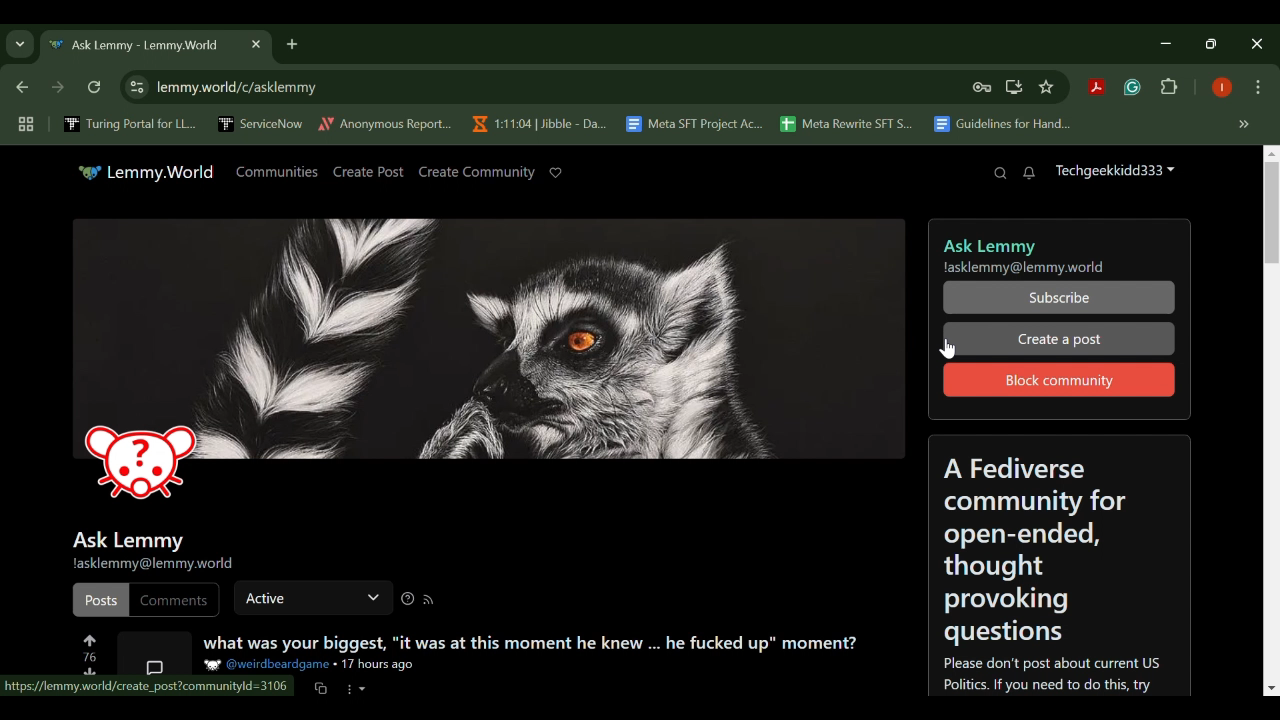 The image size is (1280, 720). I want to click on Options, so click(1258, 89).